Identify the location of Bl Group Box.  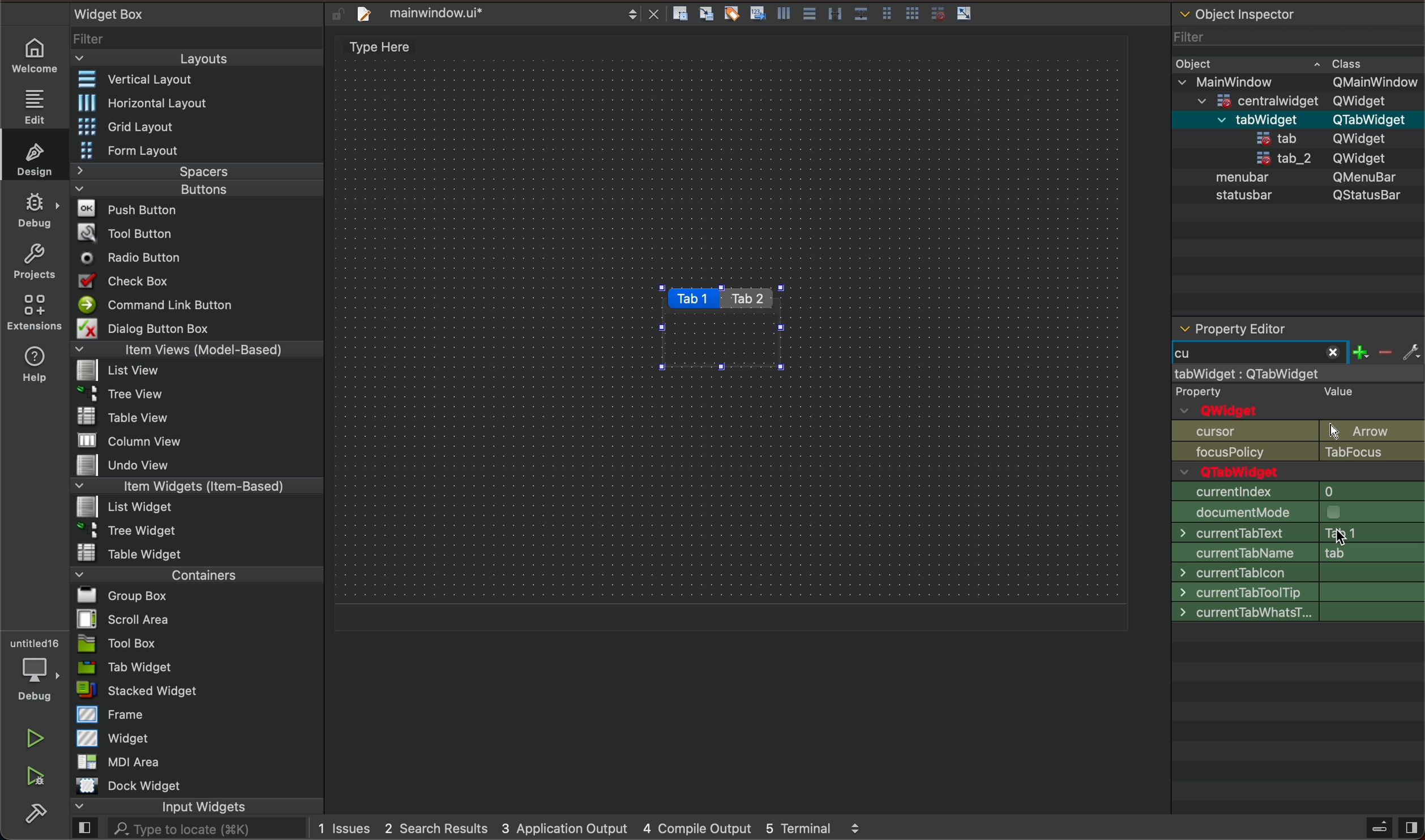
(122, 593).